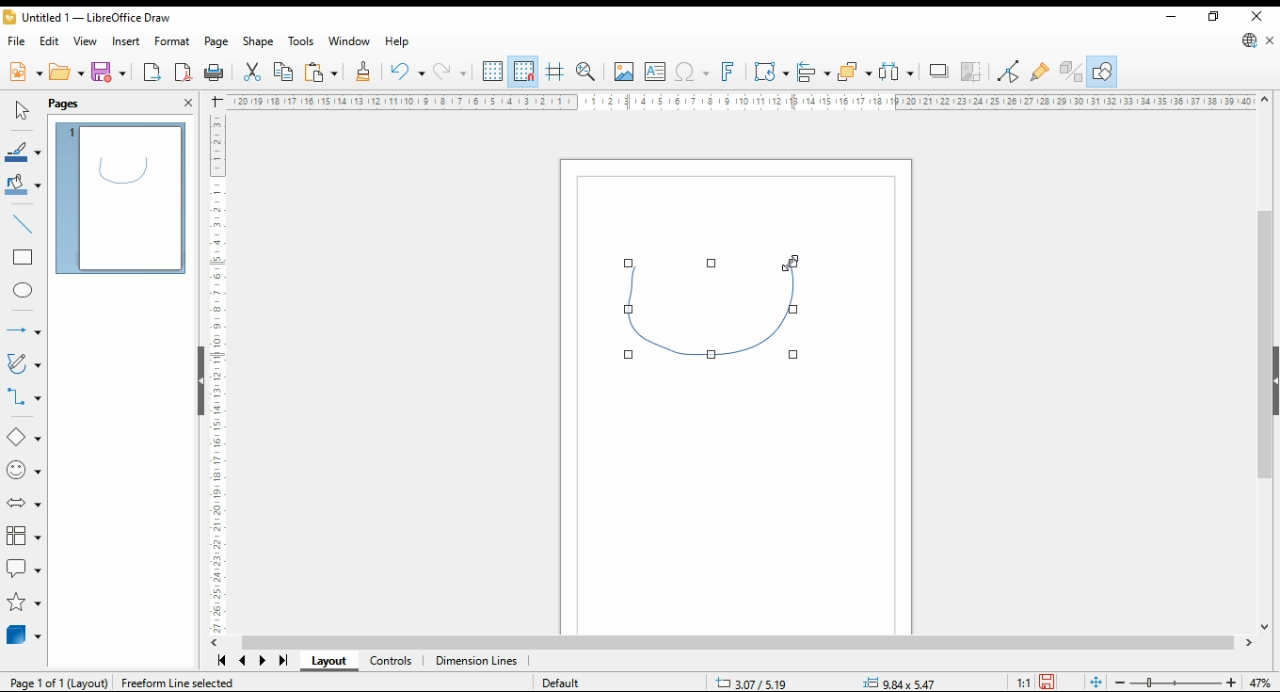  What do you see at coordinates (23, 258) in the screenshot?
I see `rectangle` at bounding box center [23, 258].